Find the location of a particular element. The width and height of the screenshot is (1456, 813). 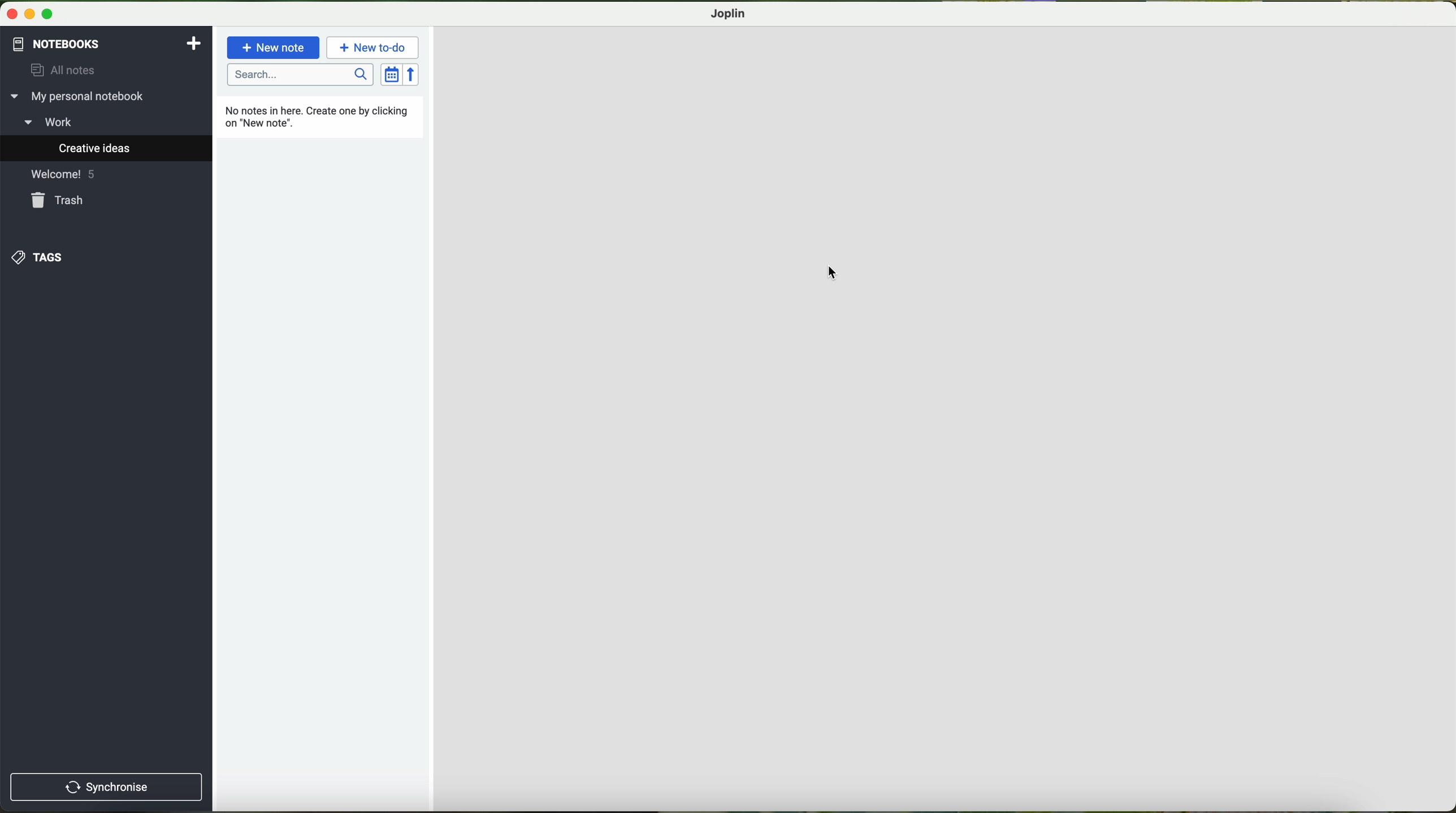

add notebooks is located at coordinates (192, 42).